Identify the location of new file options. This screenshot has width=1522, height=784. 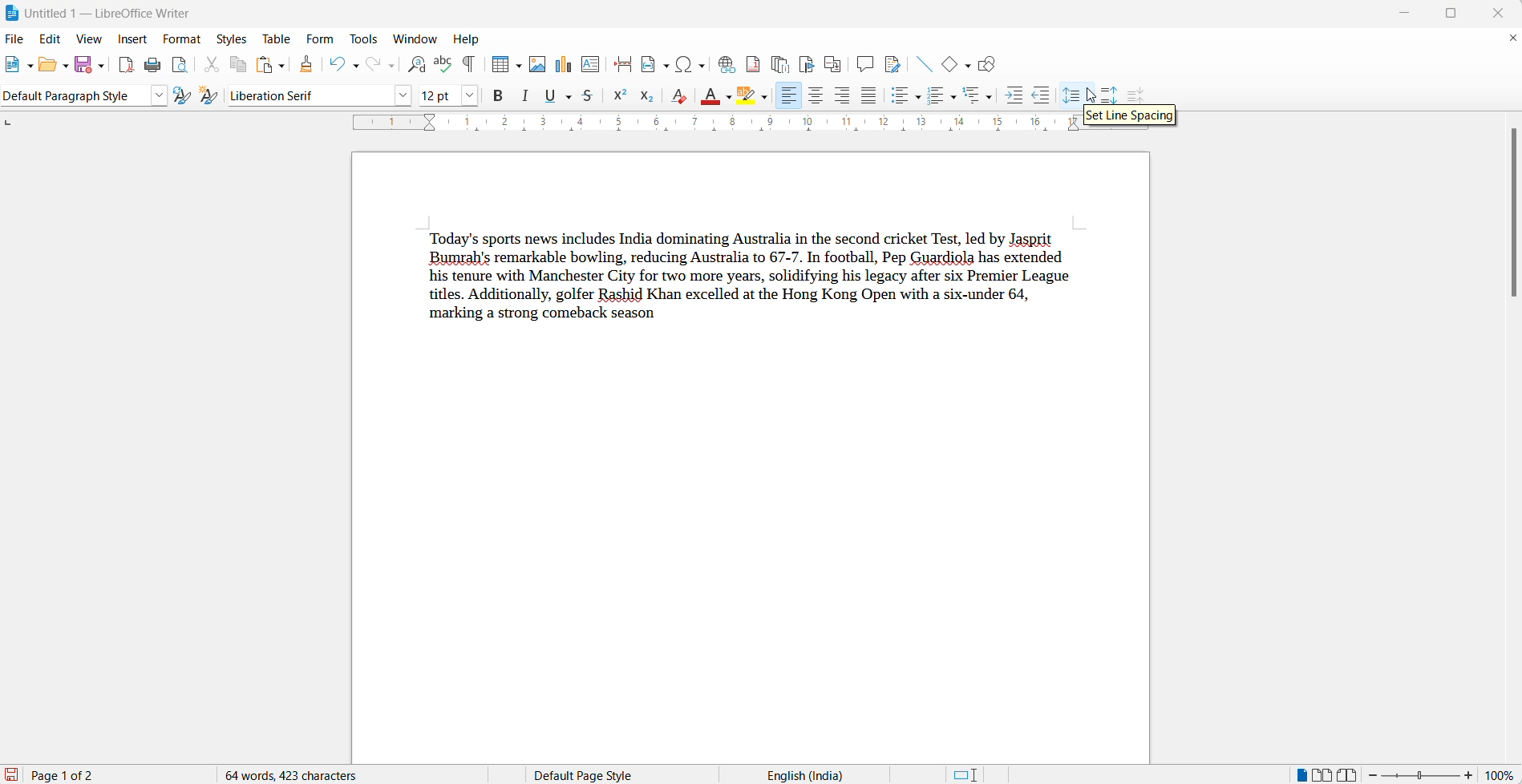
(31, 67).